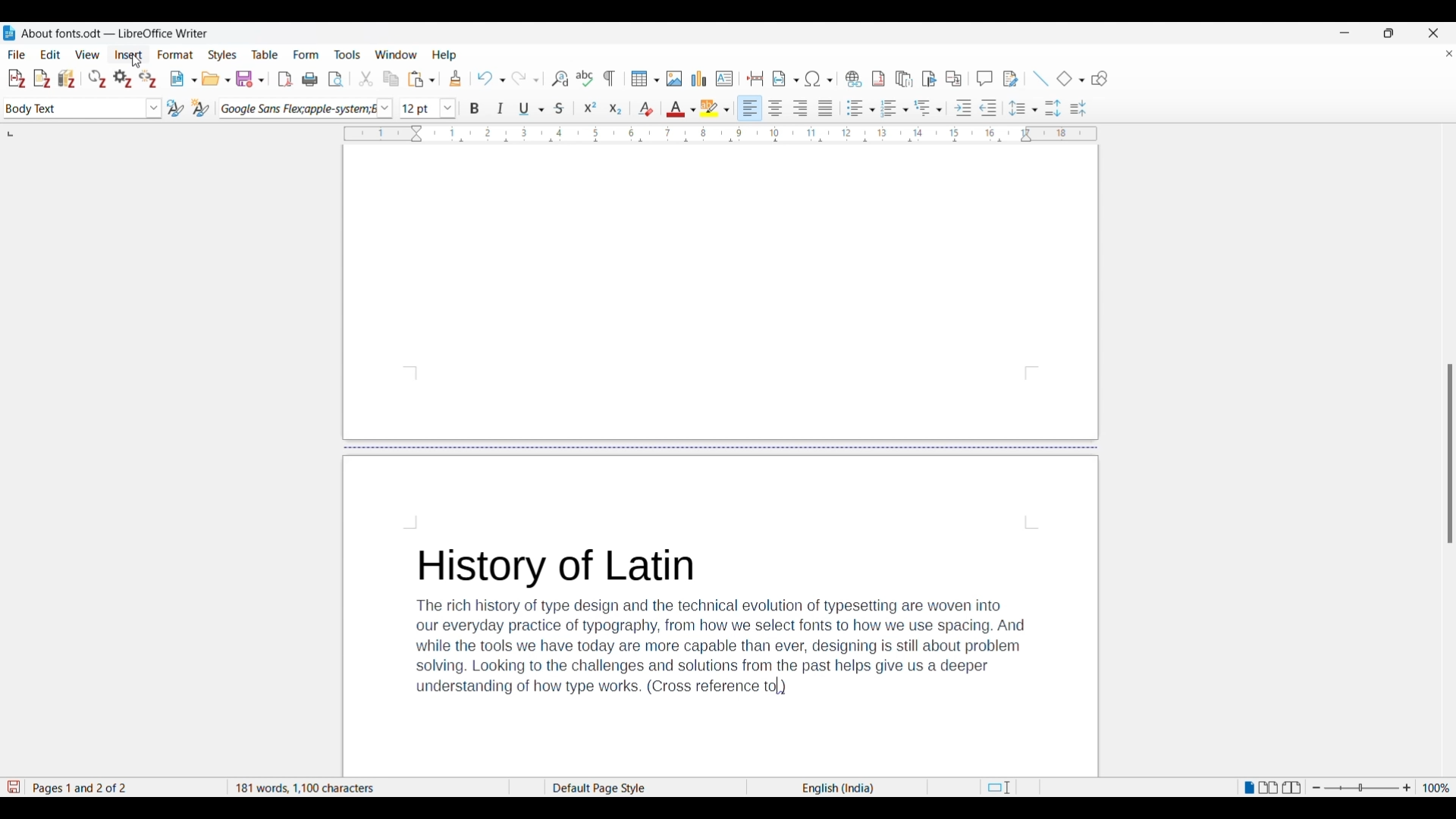  What do you see at coordinates (610, 78) in the screenshot?
I see `Toggle formatting marks` at bounding box center [610, 78].